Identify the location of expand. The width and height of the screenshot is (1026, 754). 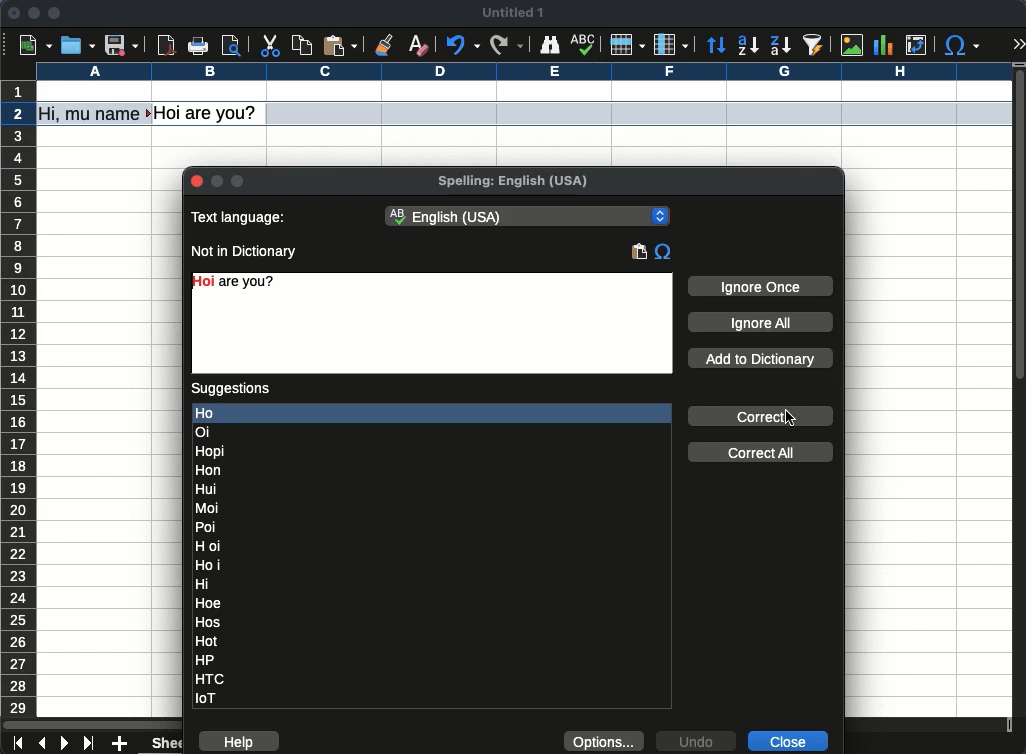
(1020, 45).